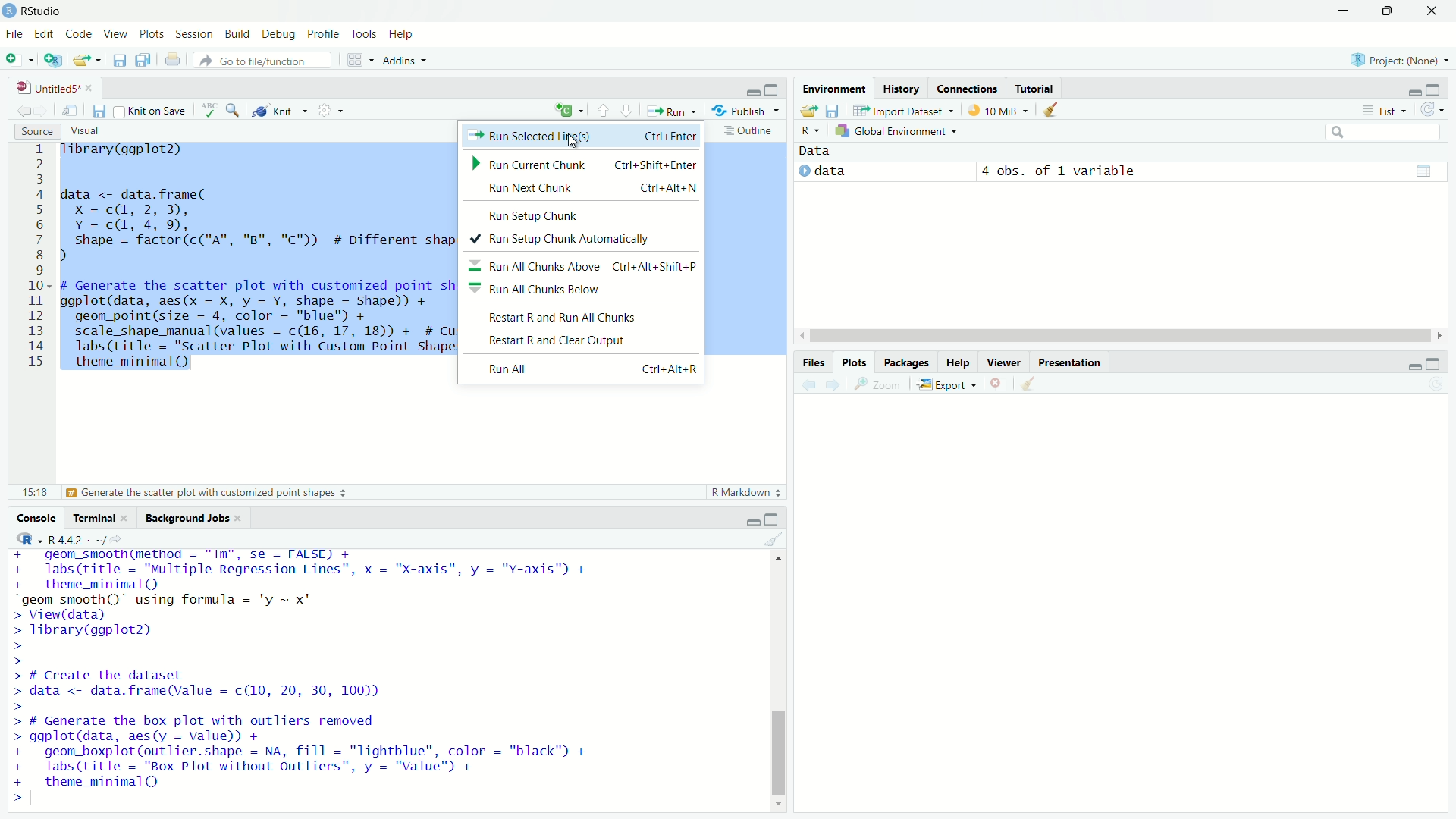 The width and height of the screenshot is (1456, 819). What do you see at coordinates (257, 257) in the screenshot?
I see `1ibrary(ggplot2)
data <- data.frame(
X =cQ, 2, 3),
Y=cd, 4,9,
Shape = factor(c("A", "B", "C")) # Different shapes for points
d
. . . I
# Generate the scatter plot with customized point shapes
ggplot(data, aes(x = X, y = Y, shape = Shape)) +
geom_point(size = 4, color = "blue") +
scale_shape_manual (values = c(16, 17, 18)) + # Custom shapes
Tabs (title = "Scatter Plot with Custom Point Shapes", x = "X-axis", y = "Y-axis") +
theme_minimal()` at bounding box center [257, 257].